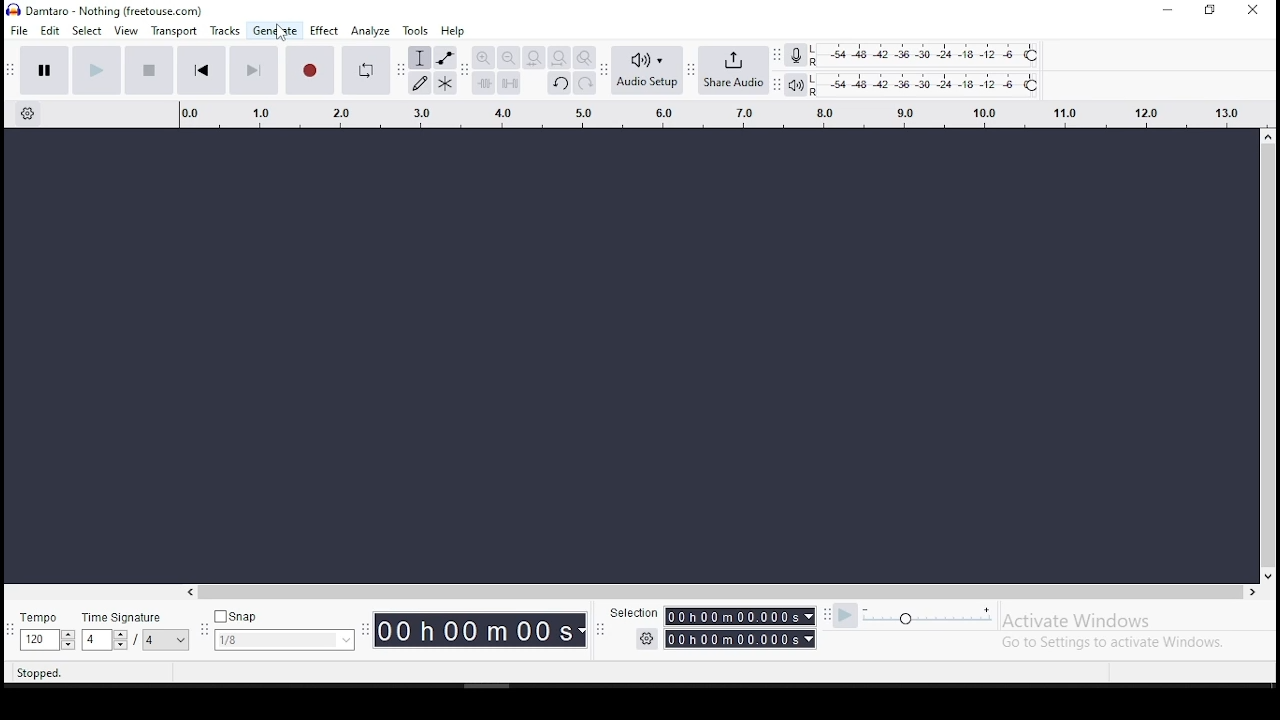 The height and width of the screenshot is (720, 1280). What do you see at coordinates (134, 630) in the screenshot?
I see `time signature` at bounding box center [134, 630].